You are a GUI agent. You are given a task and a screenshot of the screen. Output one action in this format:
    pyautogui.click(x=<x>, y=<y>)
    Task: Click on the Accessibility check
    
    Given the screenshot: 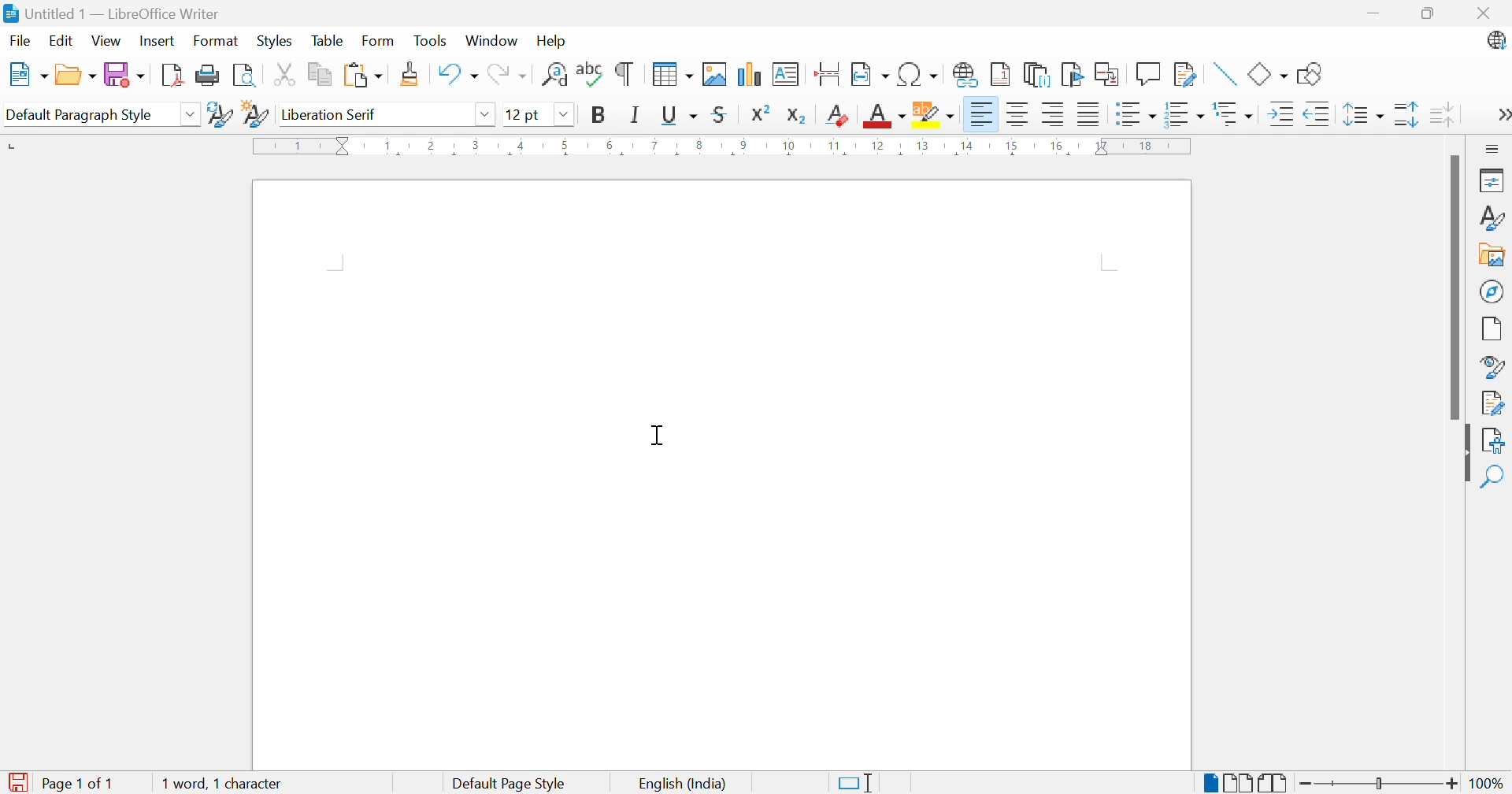 What is the action you would take?
    pyautogui.click(x=1496, y=442)
    